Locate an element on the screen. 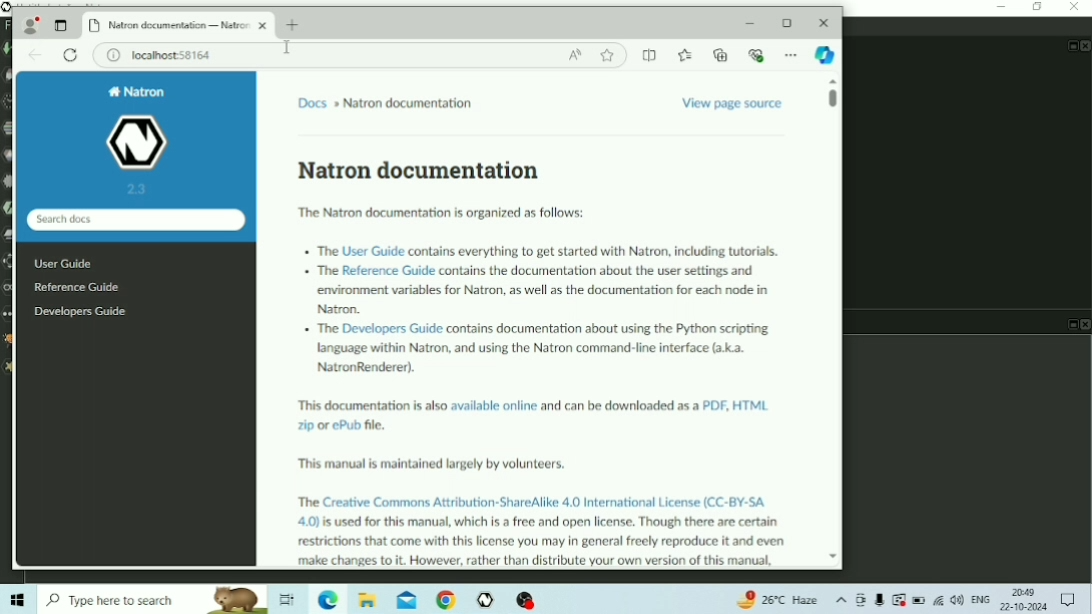  Press to open new tab is located at coordinates (294, 25).